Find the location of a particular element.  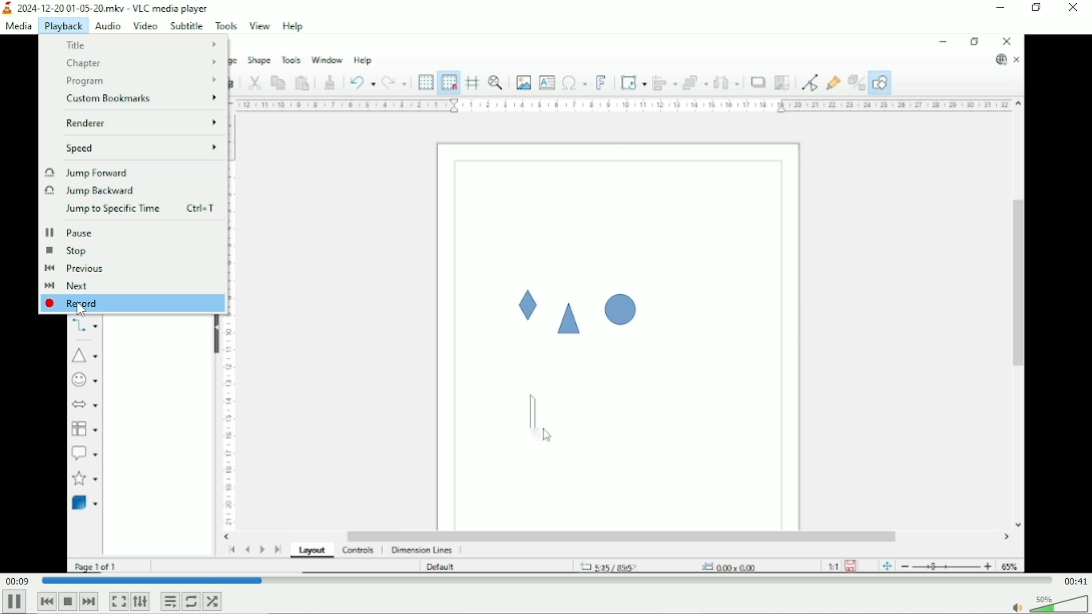

Program is located at coordinates (144, 81).